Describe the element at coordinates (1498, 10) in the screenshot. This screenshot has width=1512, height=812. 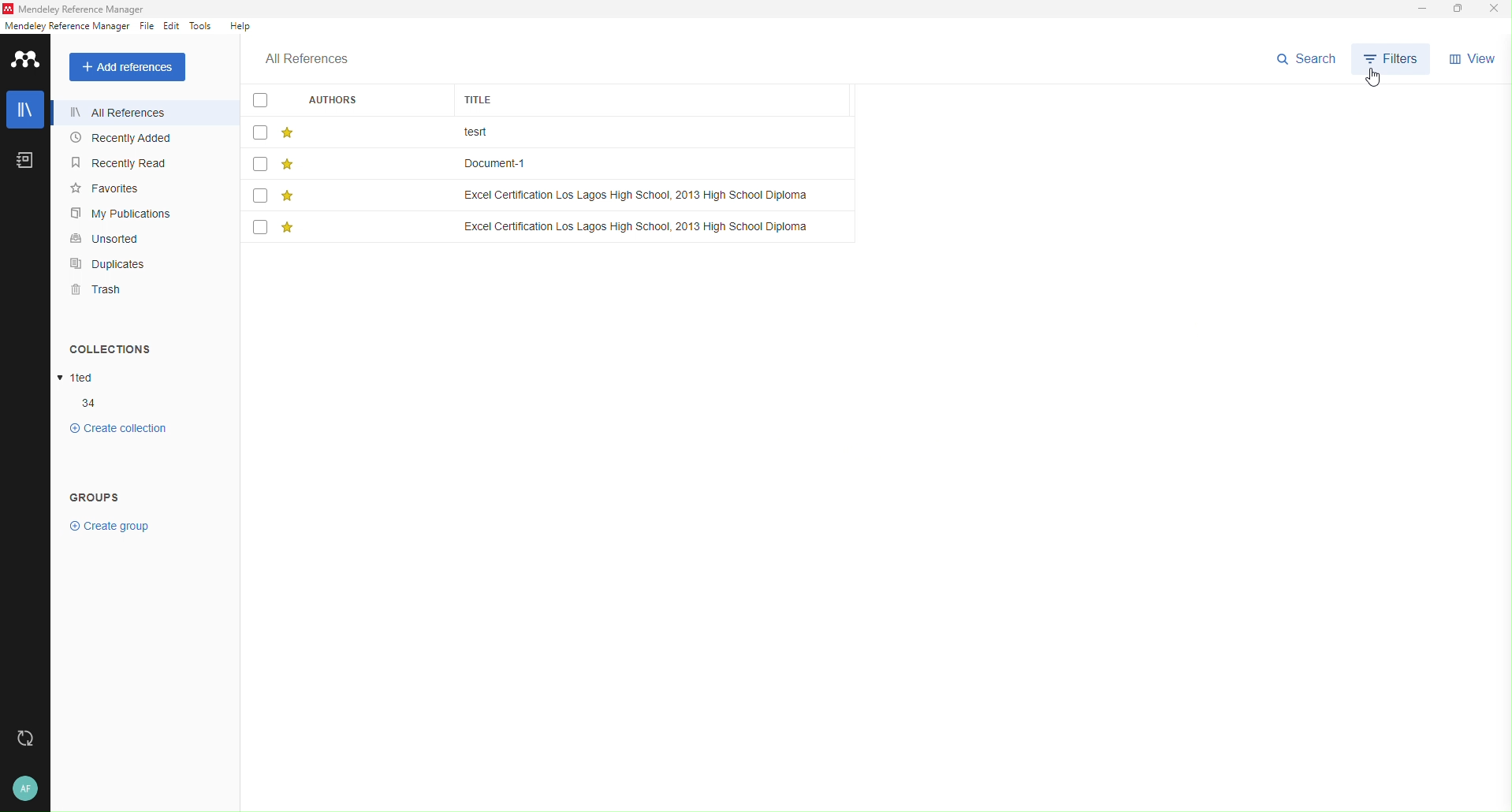
I see `Close` at that location.